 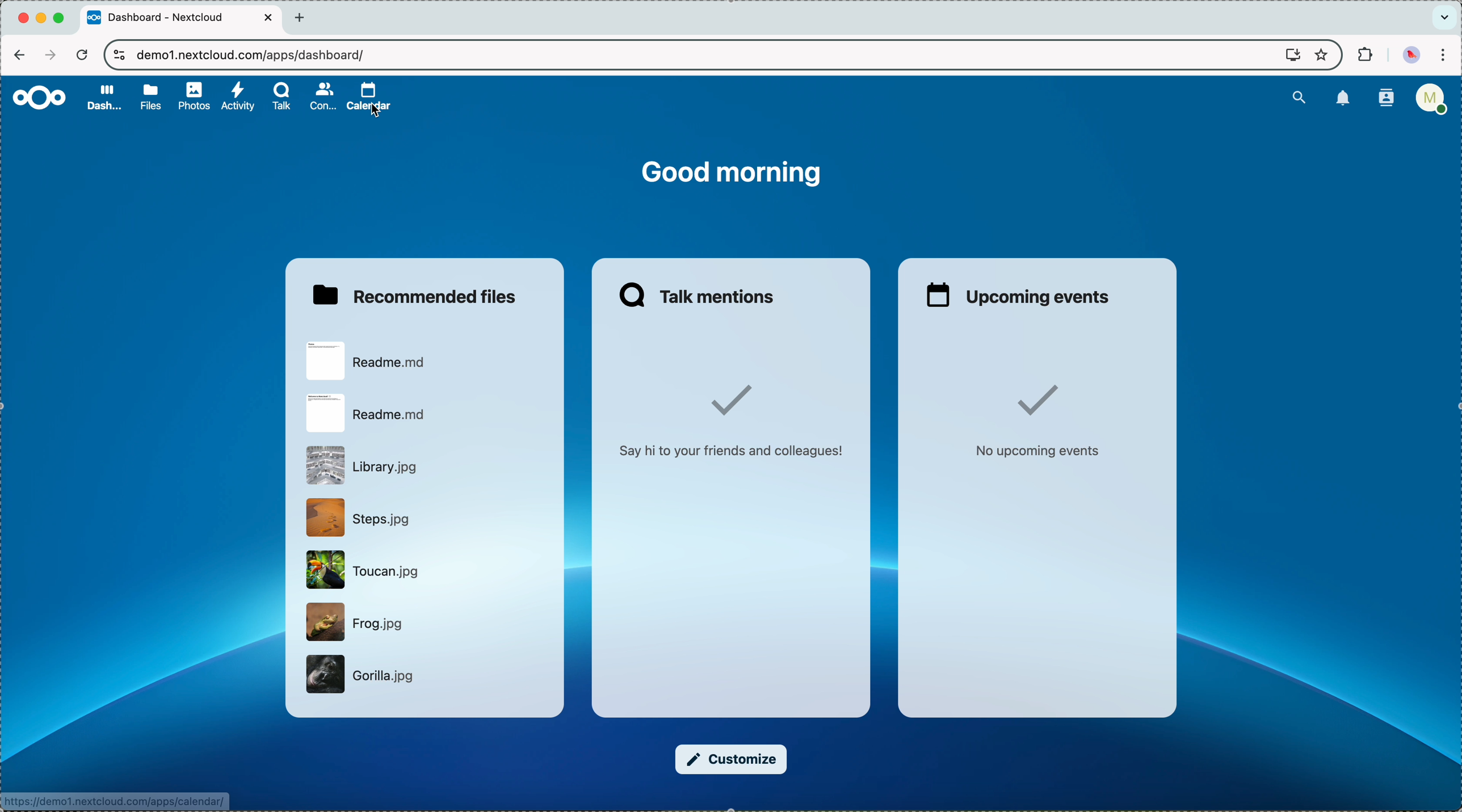 What do you see at coordinates (1018, 294) in the screenshot?
I see `upcoming events` at bounding box center [1018, 294].